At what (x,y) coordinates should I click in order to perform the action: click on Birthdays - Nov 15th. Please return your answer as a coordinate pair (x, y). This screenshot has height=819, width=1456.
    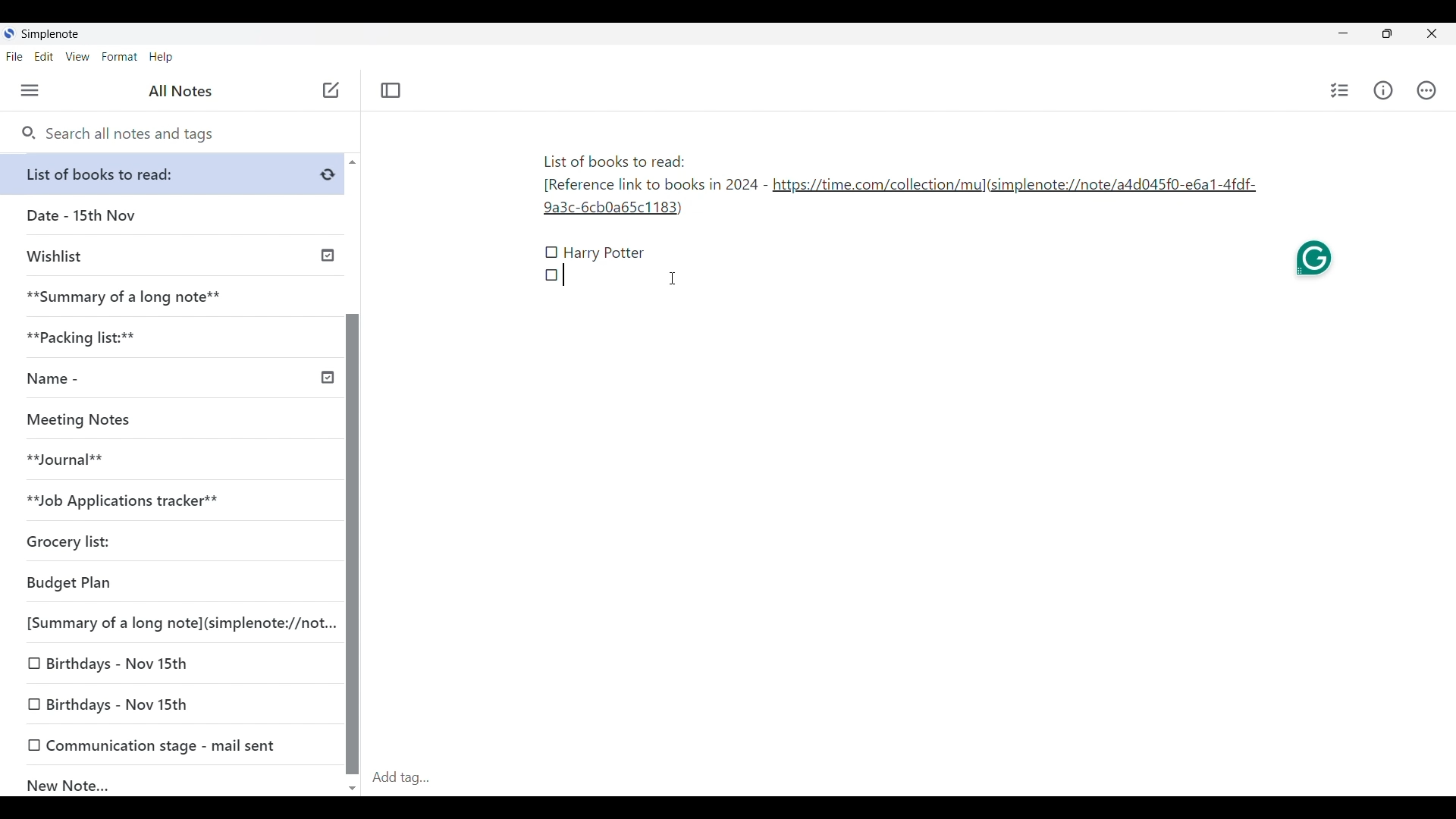
    Looking at the image, I should click on (171, 664).